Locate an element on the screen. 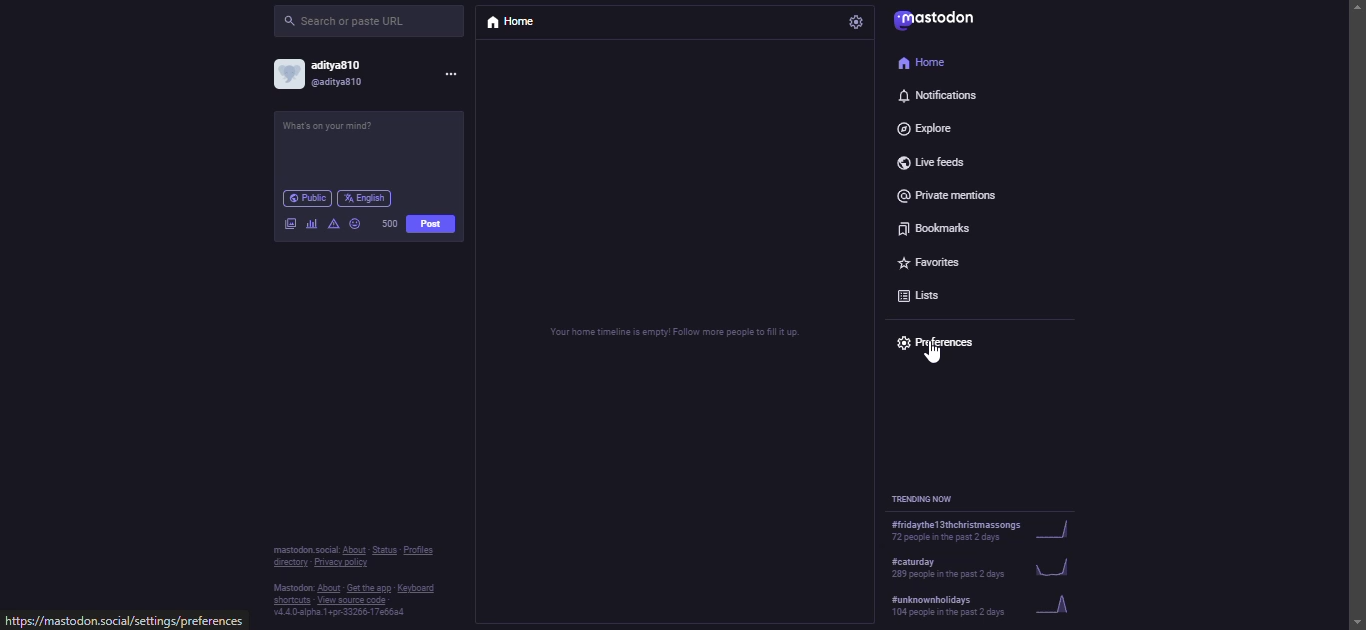 This screenshot has width=1366, height=630. live feeds is located at coordinates (926, 158).